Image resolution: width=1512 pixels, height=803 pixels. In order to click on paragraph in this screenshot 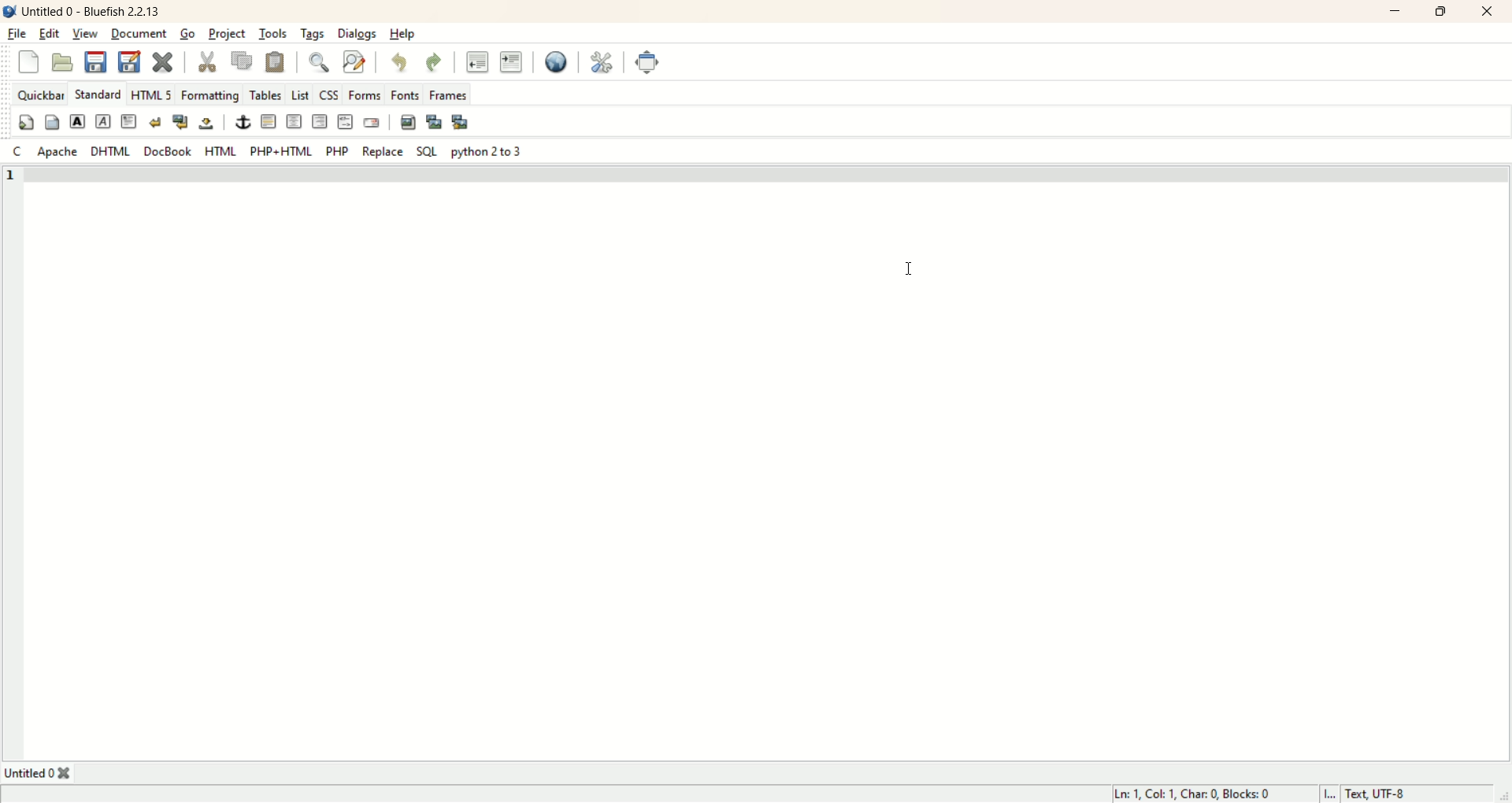, I will do `click(129, 122)`.